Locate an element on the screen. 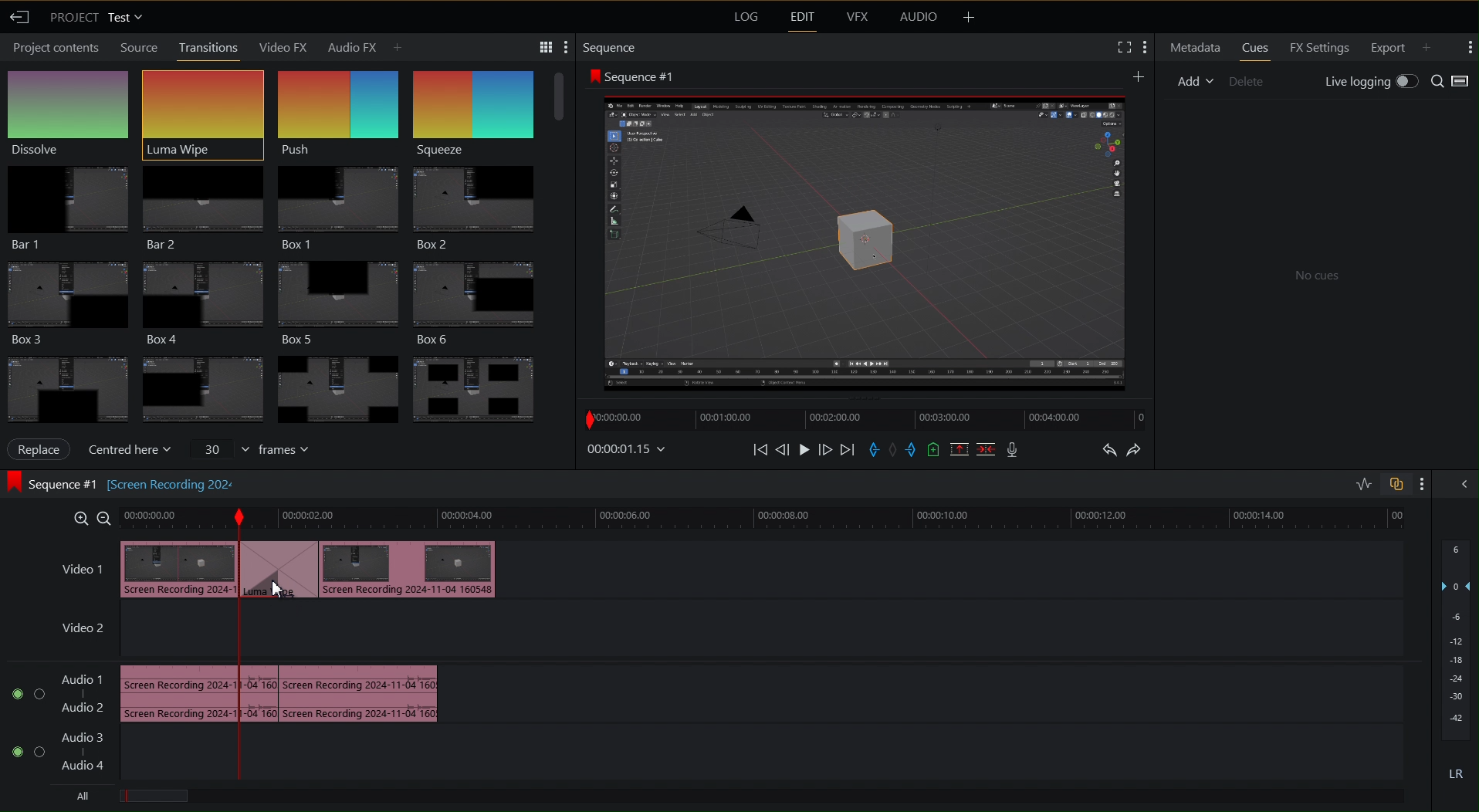 This screenshot has width=1479, height=812. Box 1 is located at coordinates (337, 201).